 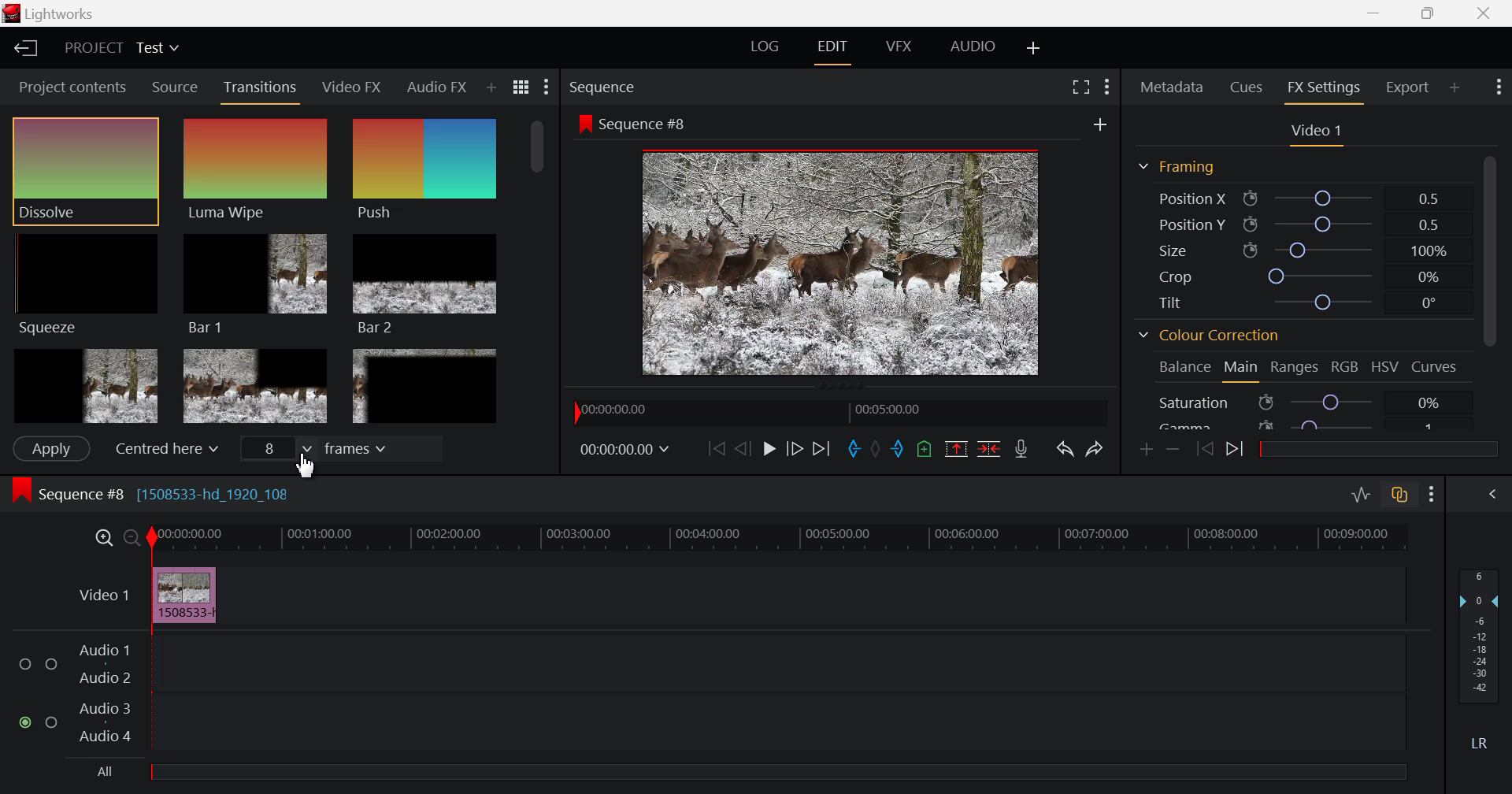 What do you see at coordinates (1322, 90) in the screenshot?
I see `FX Settings` at bounding box center [1322, 90].